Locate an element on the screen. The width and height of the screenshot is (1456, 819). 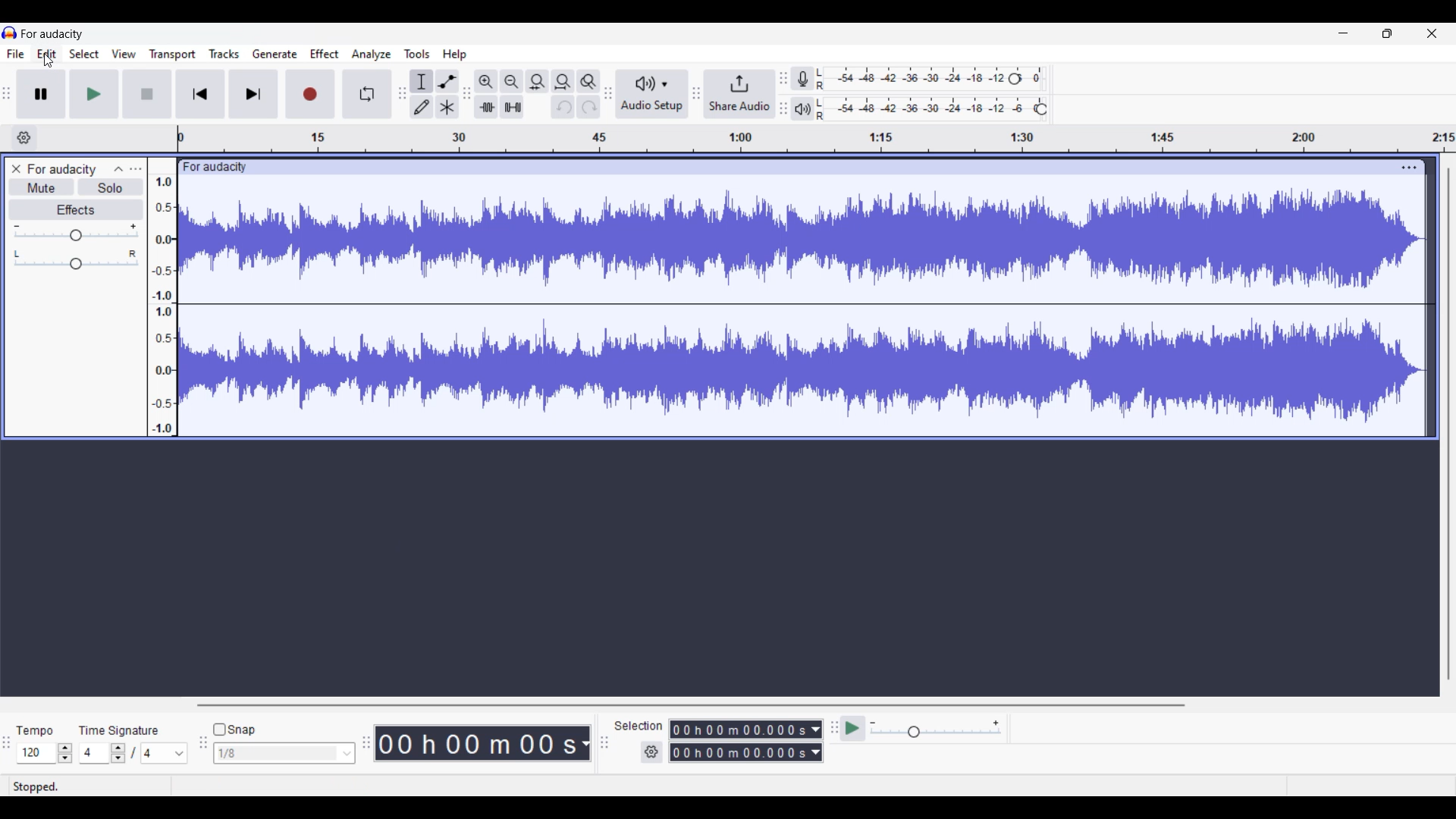
Transport menu is located at coordinates (173, 55).